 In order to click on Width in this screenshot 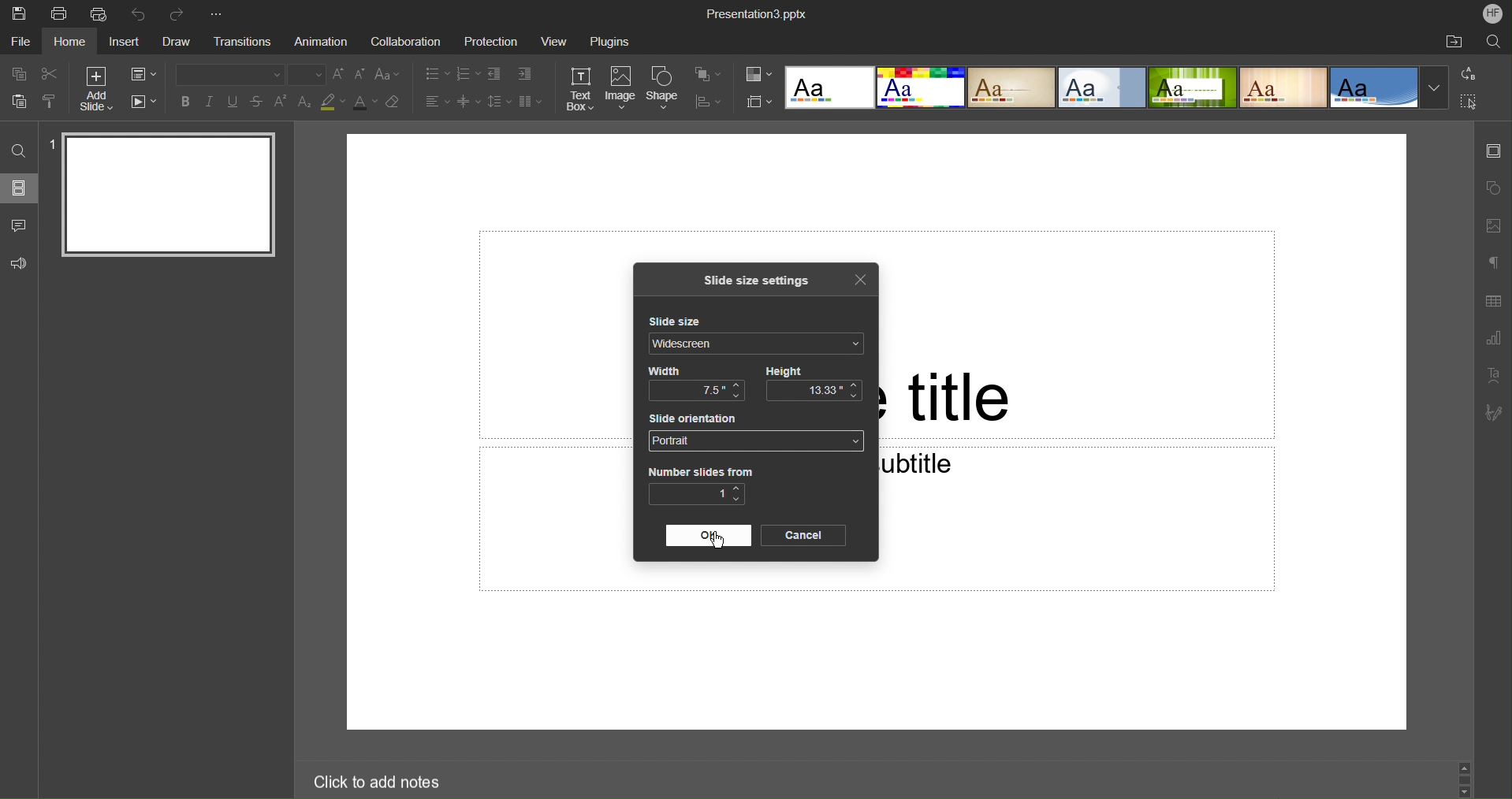, I will do `click(663, 370)`.